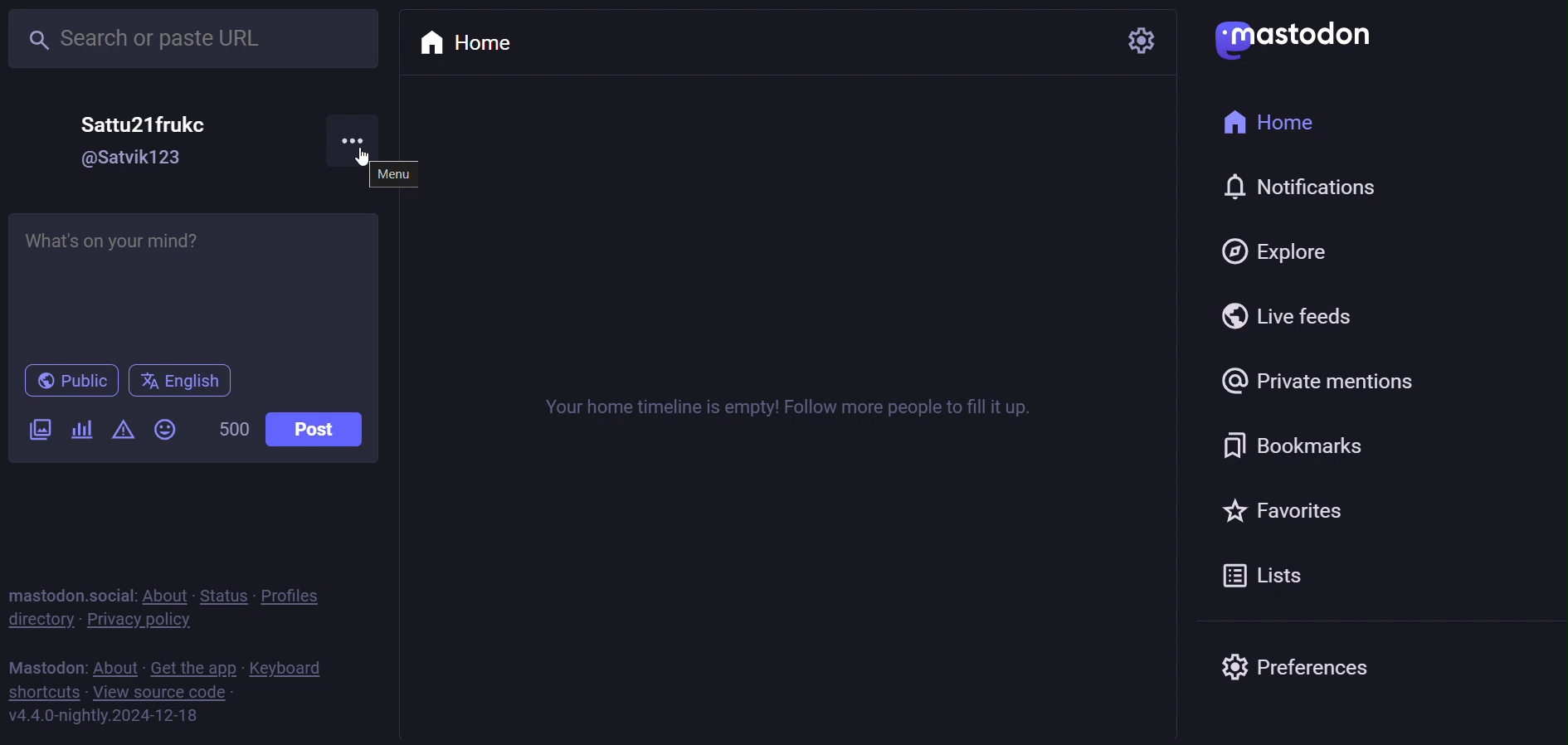  What do you see at coordinates (113, 663) in the screenshot?
I see `about` at bounding box center [113, 663].